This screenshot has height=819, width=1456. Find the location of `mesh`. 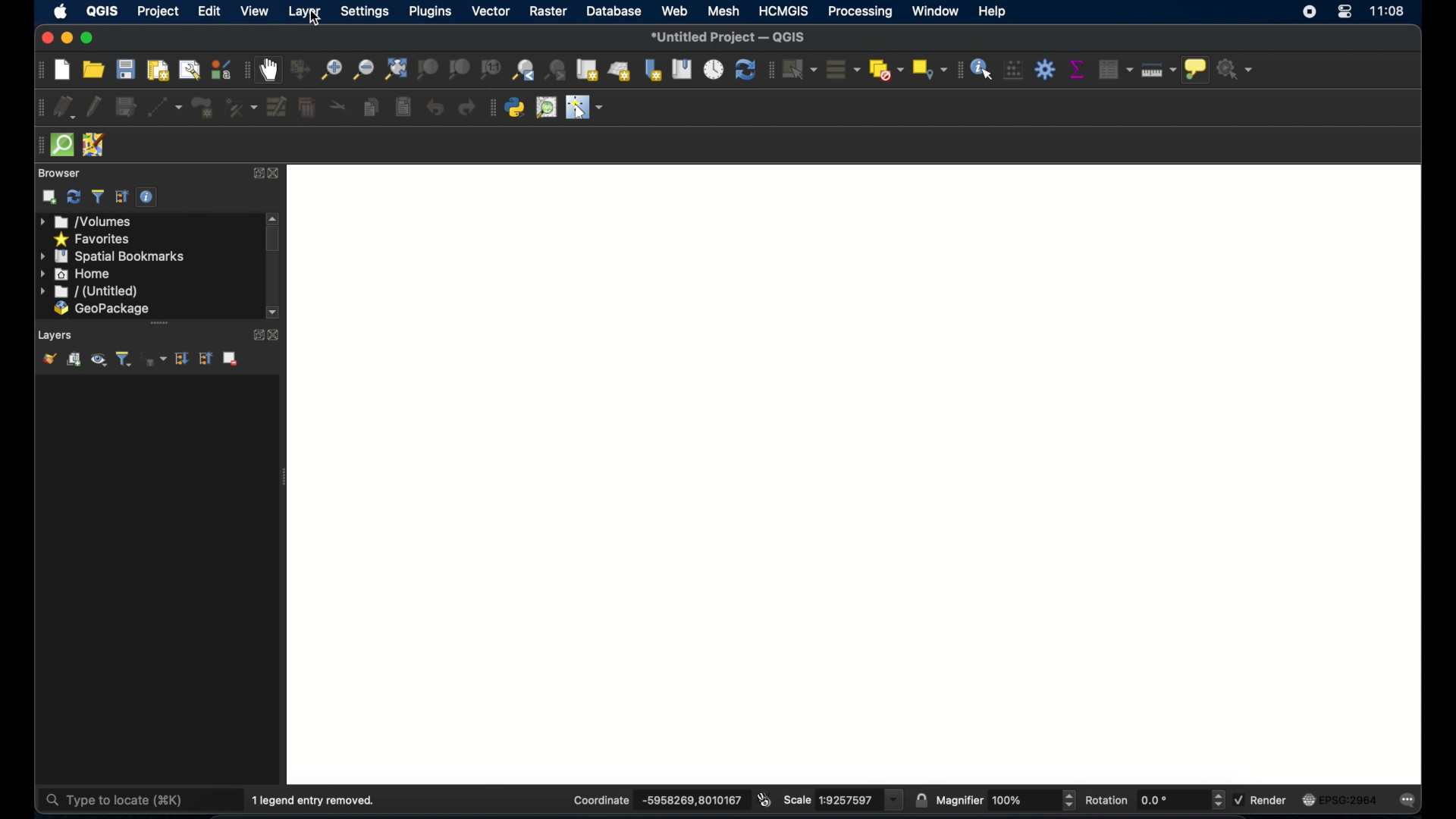

mesh is located at coordinates (722, 12).